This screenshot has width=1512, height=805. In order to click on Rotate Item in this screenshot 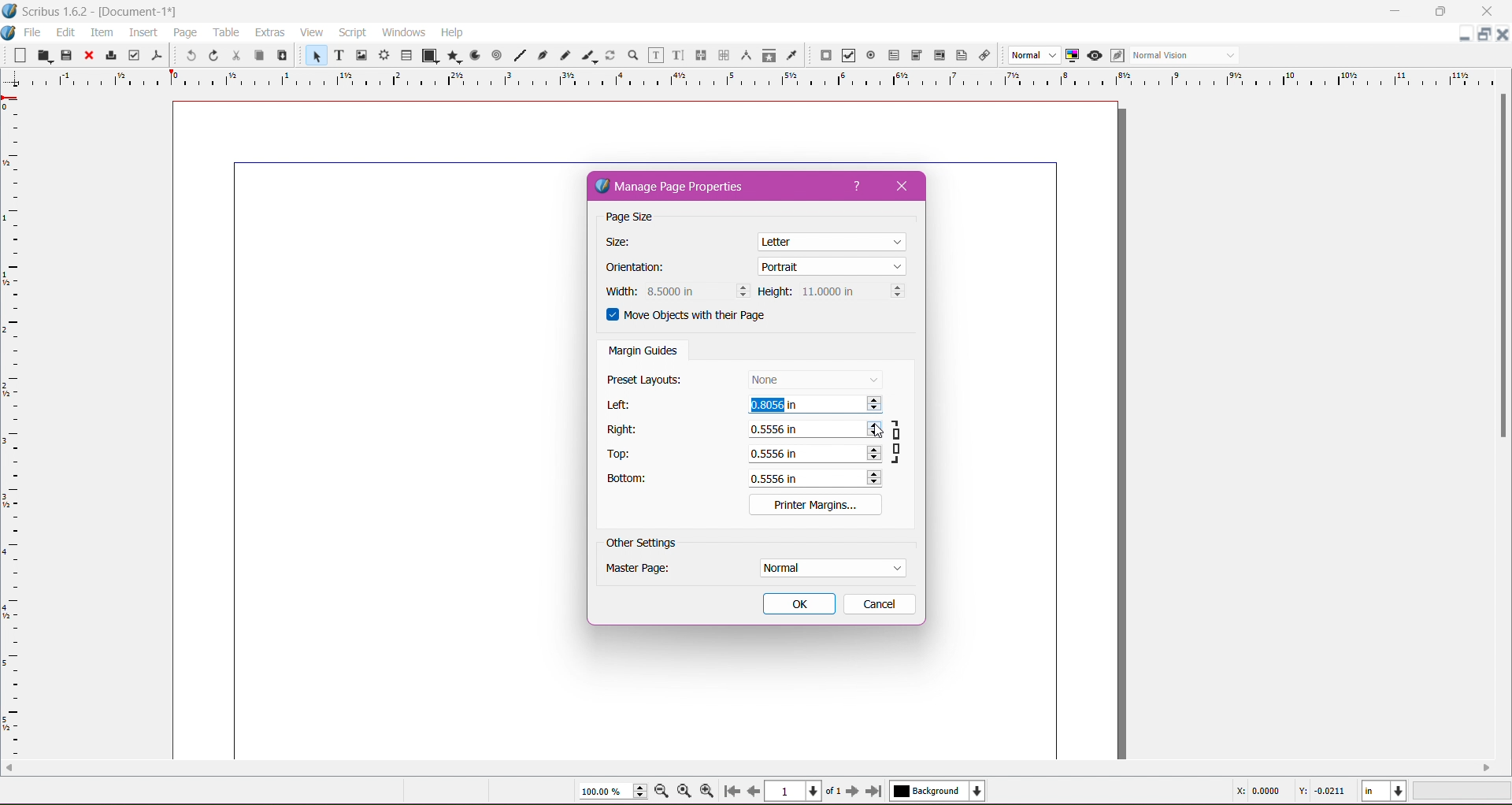, I will do `click(610, 55)`.